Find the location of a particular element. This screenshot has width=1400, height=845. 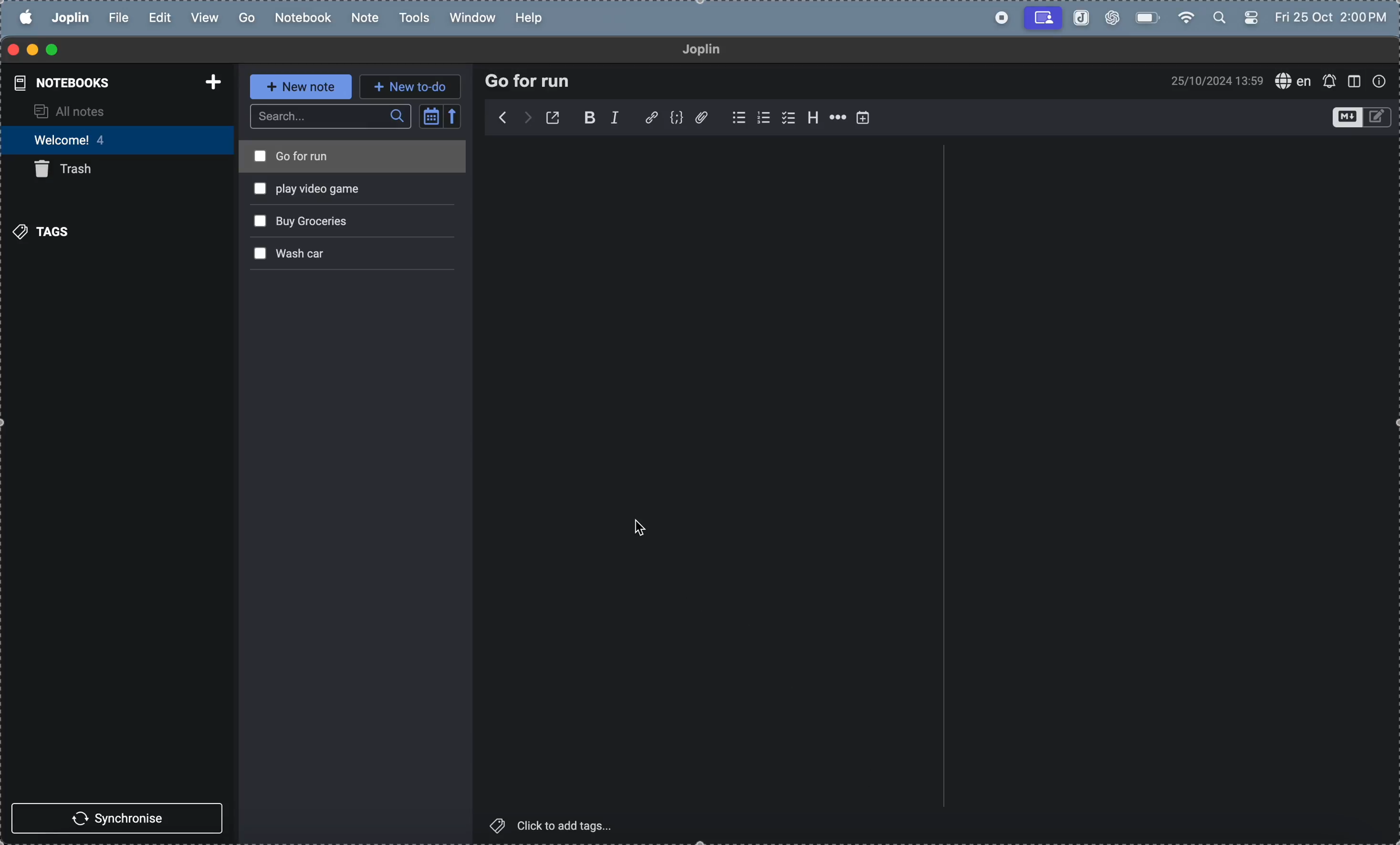

Go for run is located at coordinates (299, 157).